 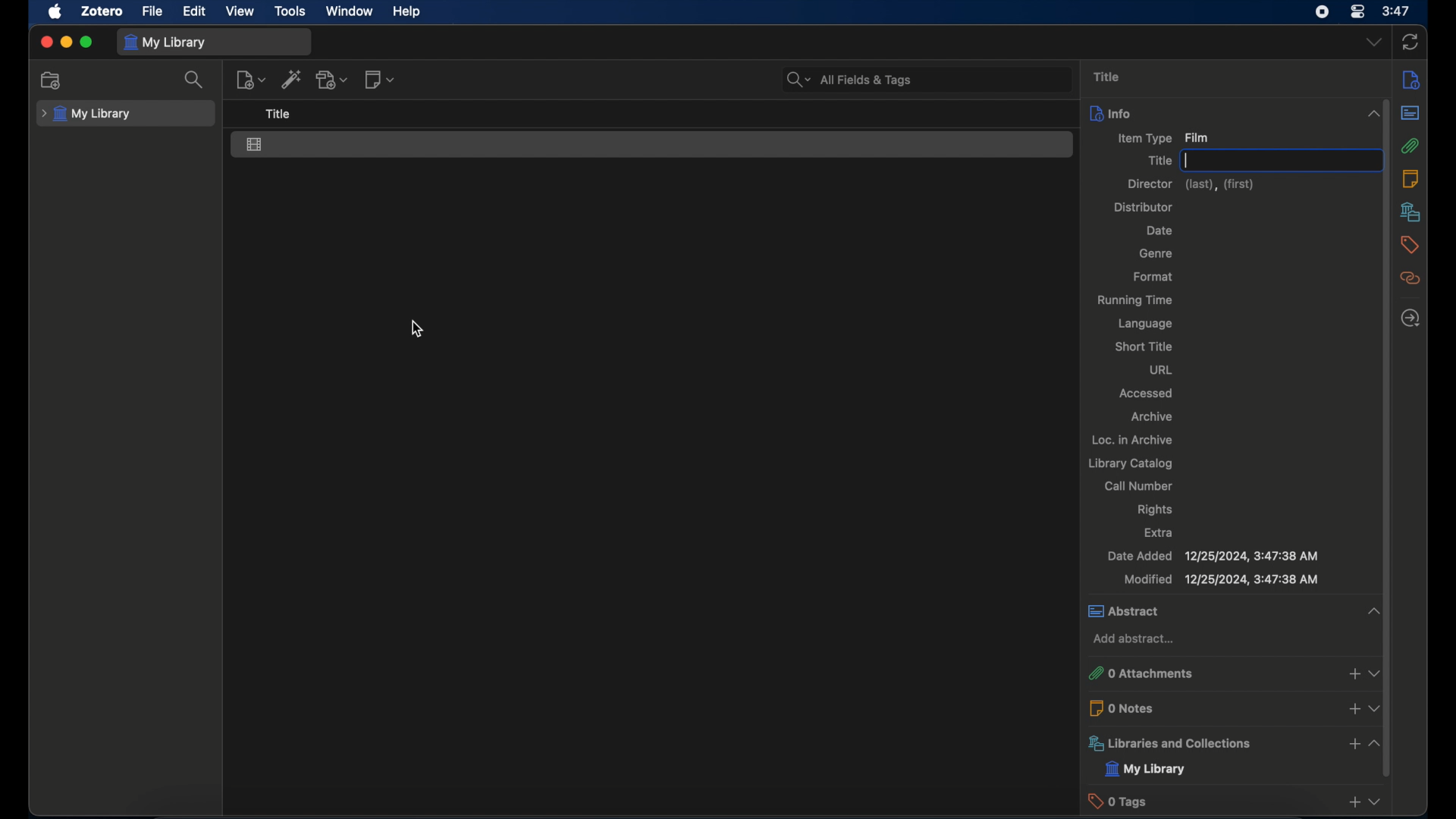 I want to click on title, so click(x=1159, y=161).